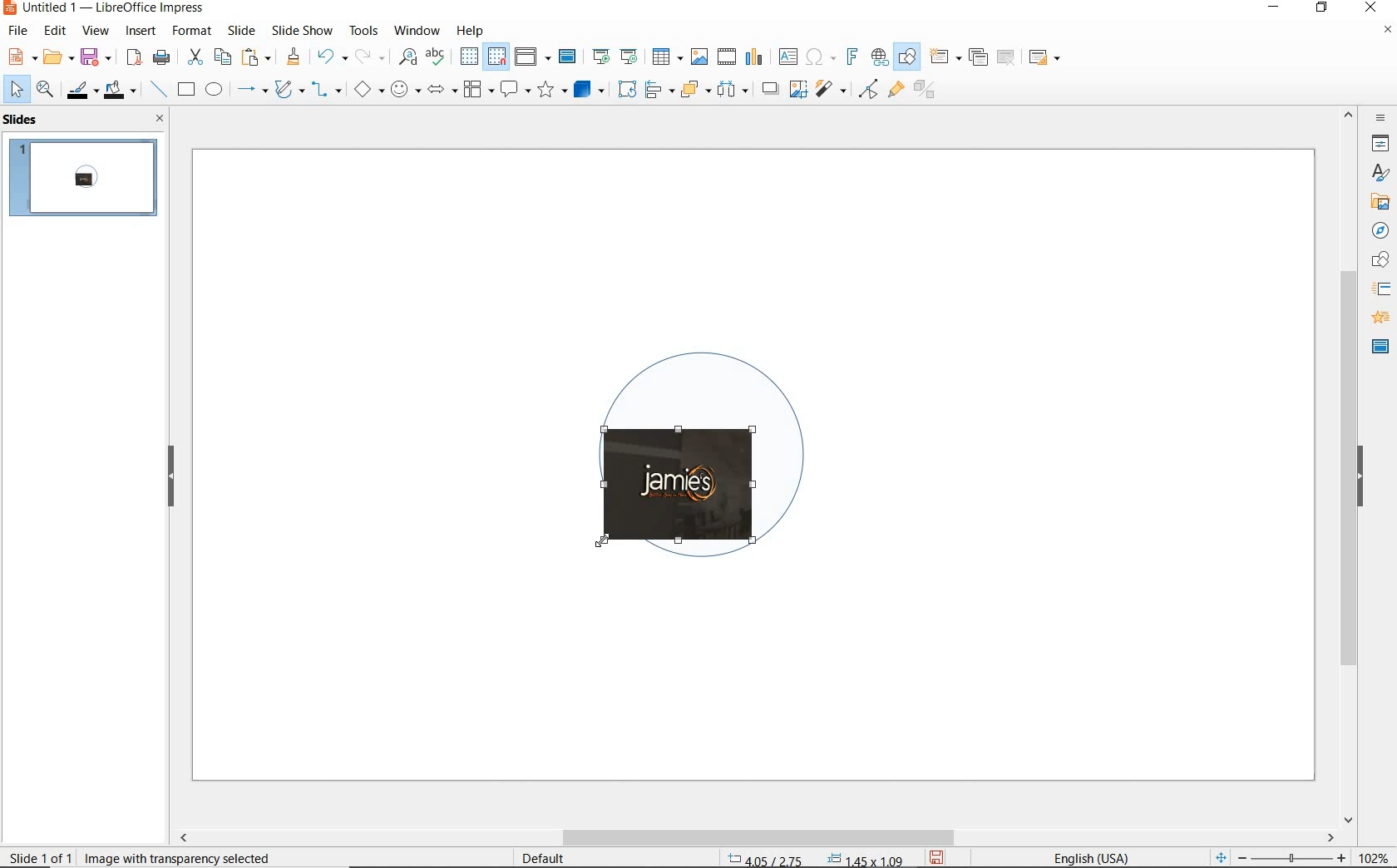  What do you see at coordinates (241, 31) in the screenshot?
I see `slide` at bounding box center [241, 31].